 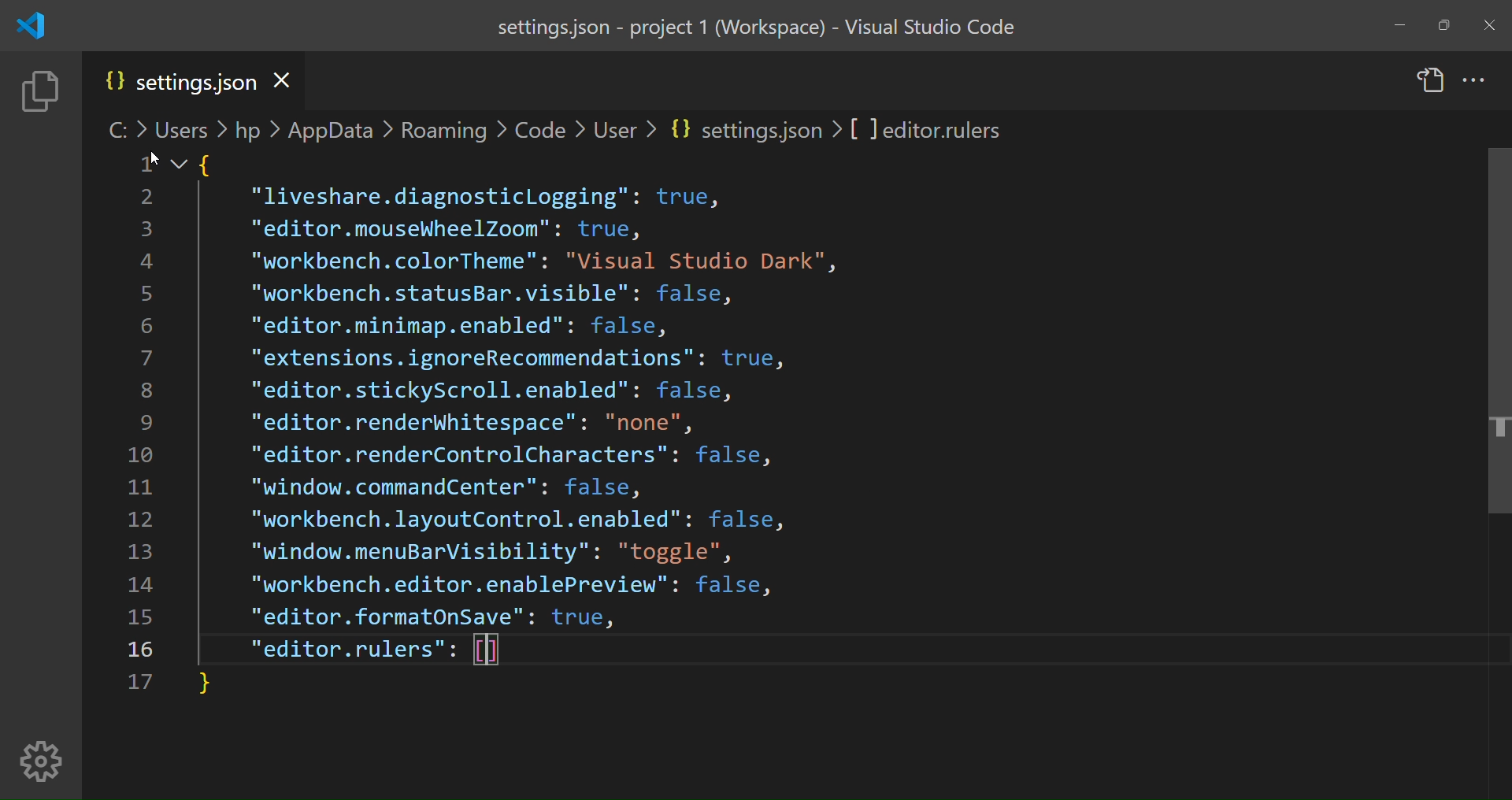 What do you see at coordinates (565, 128) in the screenshot?
I see `path` at bounding box center [565, 128].